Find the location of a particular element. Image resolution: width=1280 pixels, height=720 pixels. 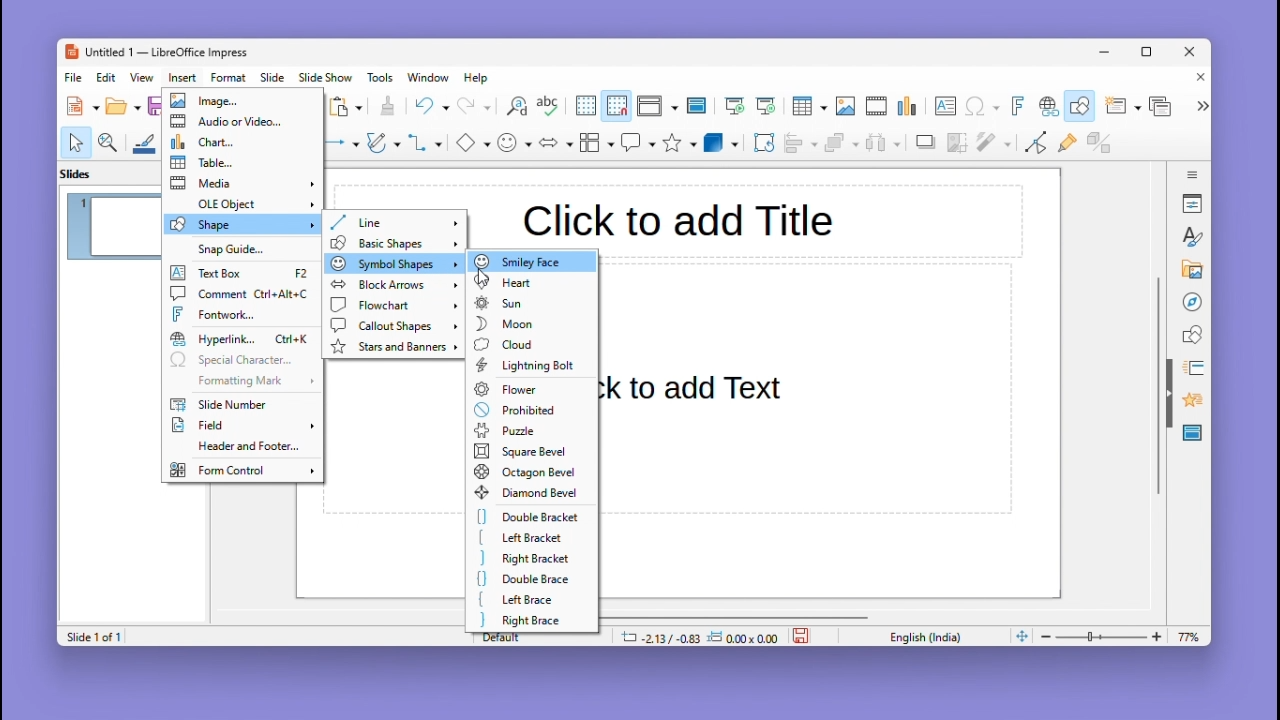

Crop image is located at coordinates (958, 147).